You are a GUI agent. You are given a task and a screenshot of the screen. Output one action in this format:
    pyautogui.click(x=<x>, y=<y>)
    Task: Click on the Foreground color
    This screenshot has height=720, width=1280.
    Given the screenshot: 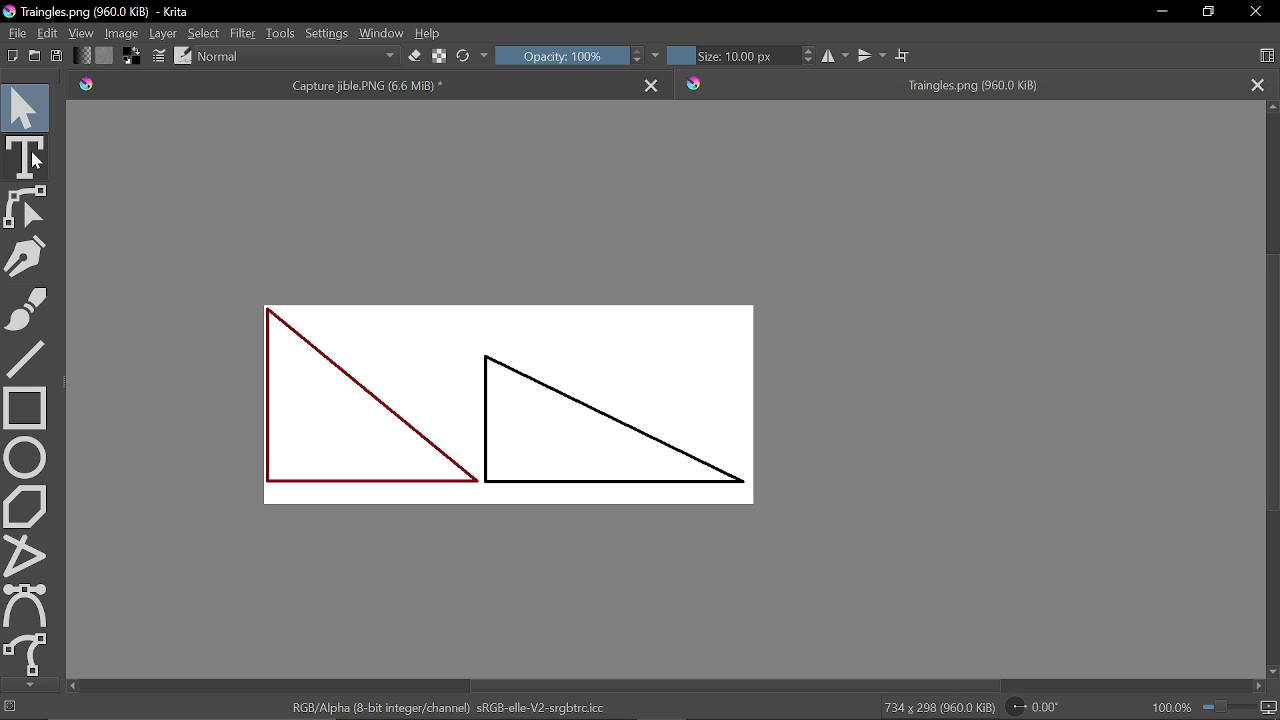 What is the action you would take?
    pyautogui.click(x=133, y=57)
    